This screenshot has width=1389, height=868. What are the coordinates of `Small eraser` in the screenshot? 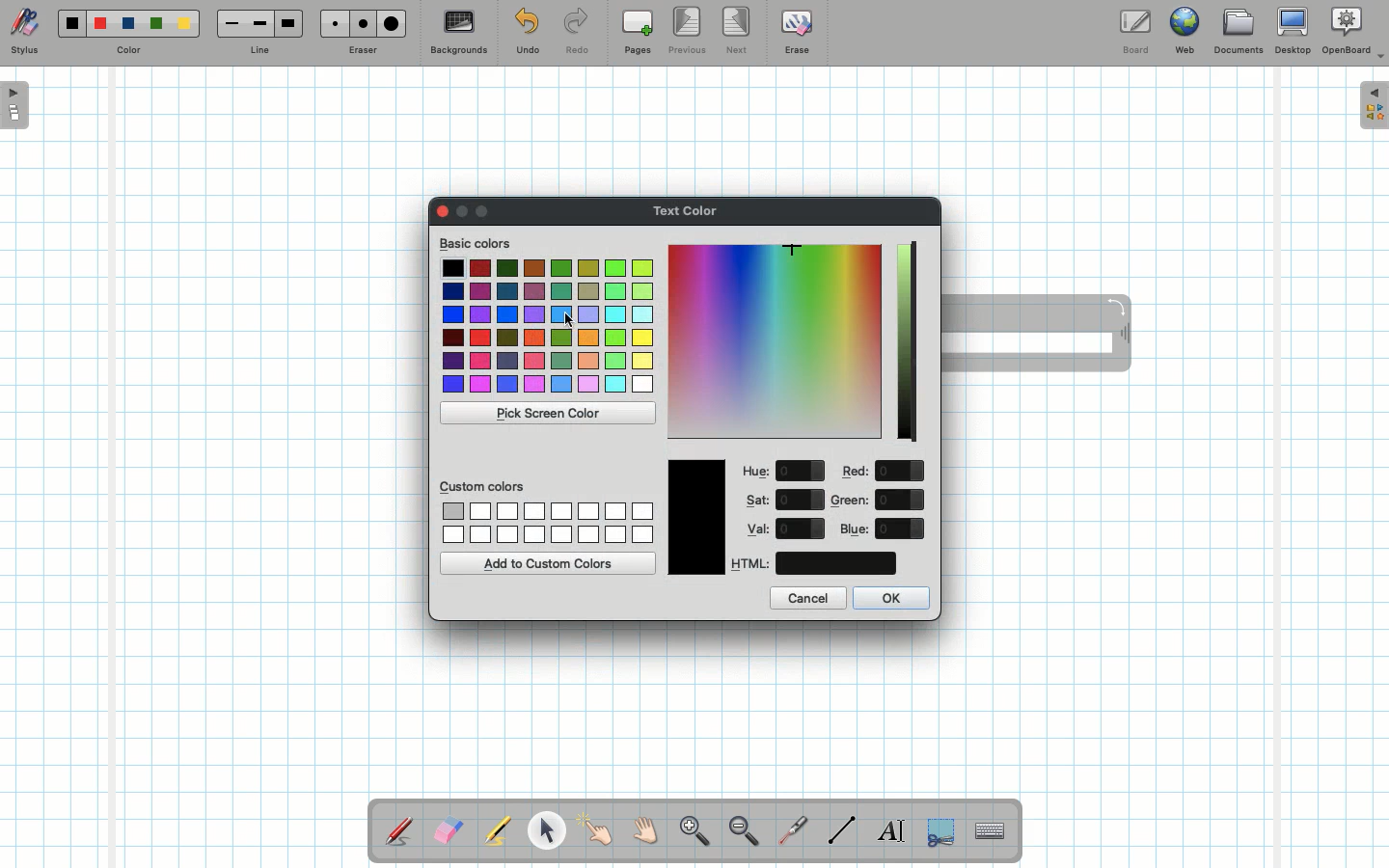 It's located at (330, 23).